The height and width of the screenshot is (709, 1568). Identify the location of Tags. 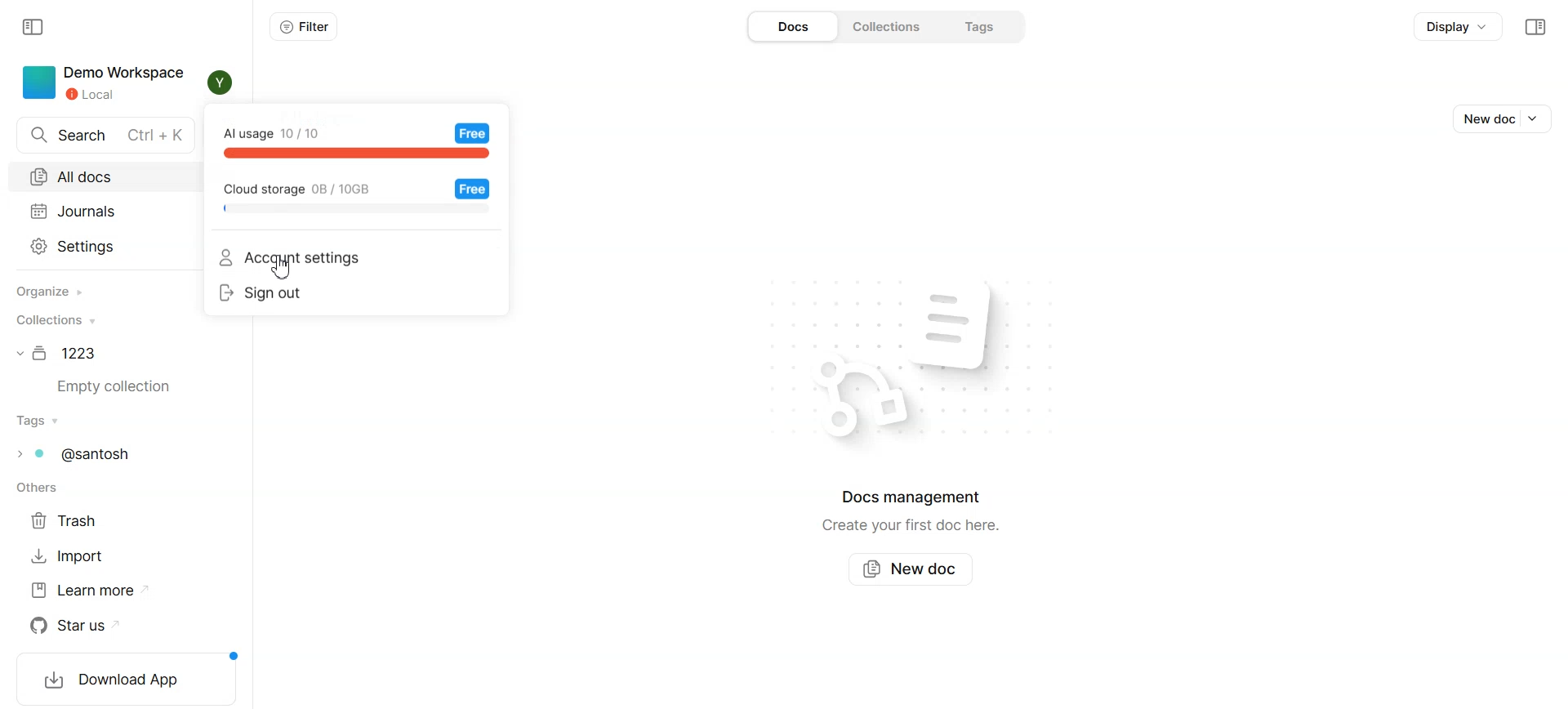
(81, 453).